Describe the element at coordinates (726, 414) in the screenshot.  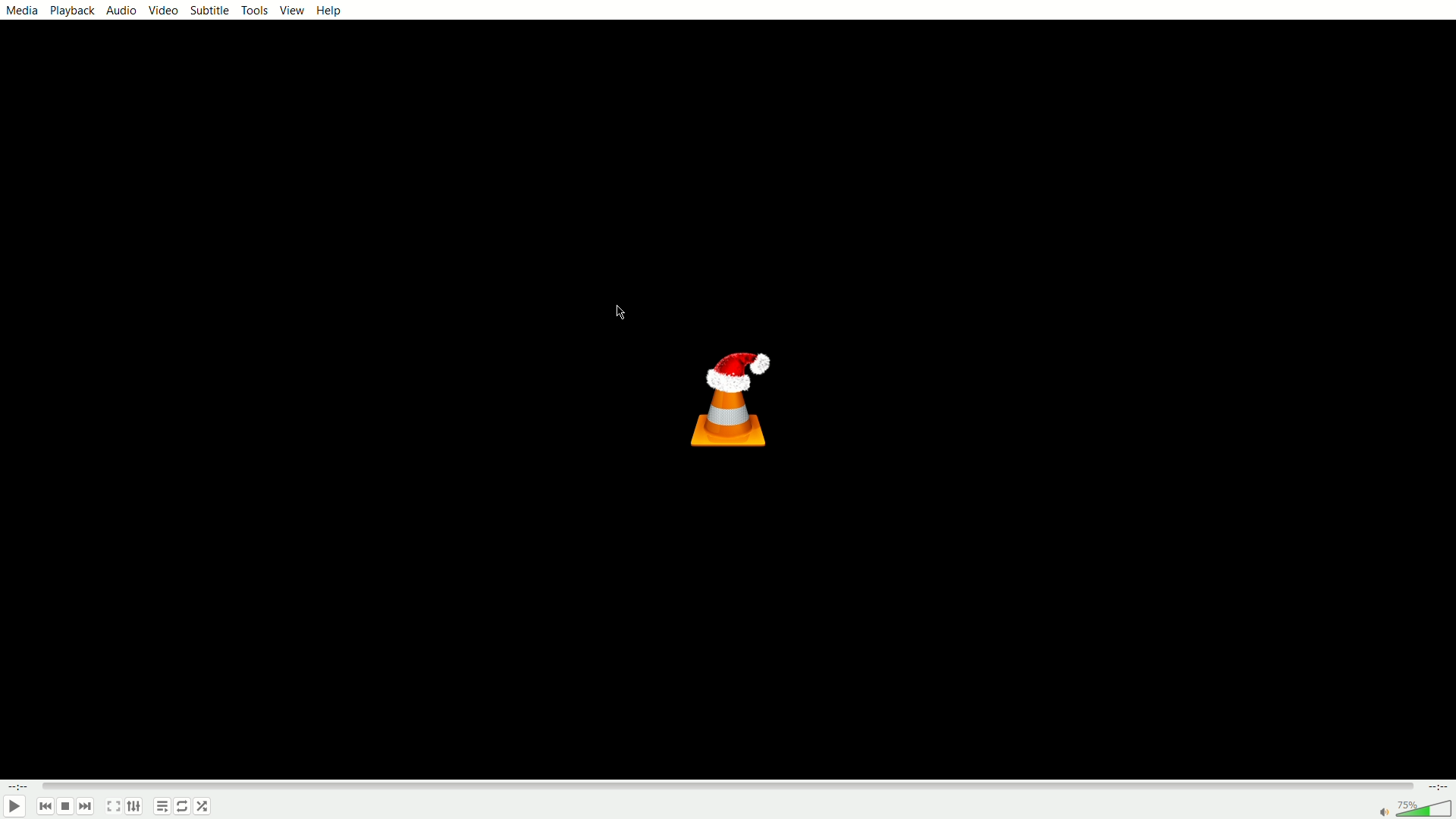
I see `logo` at that location.